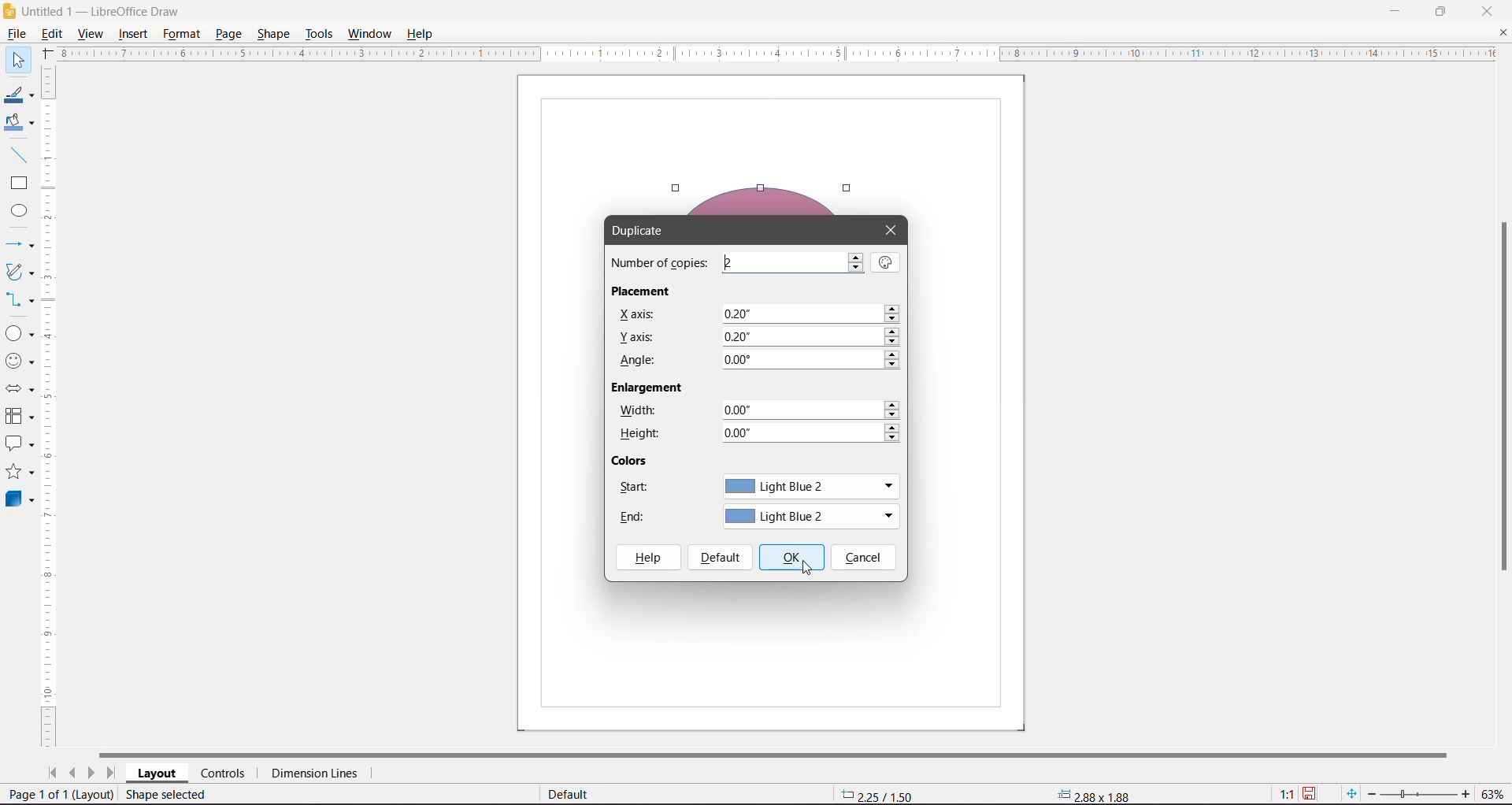 This screenshot has width=1512, height=805. I want to click on Set angle, so click(810, 359).